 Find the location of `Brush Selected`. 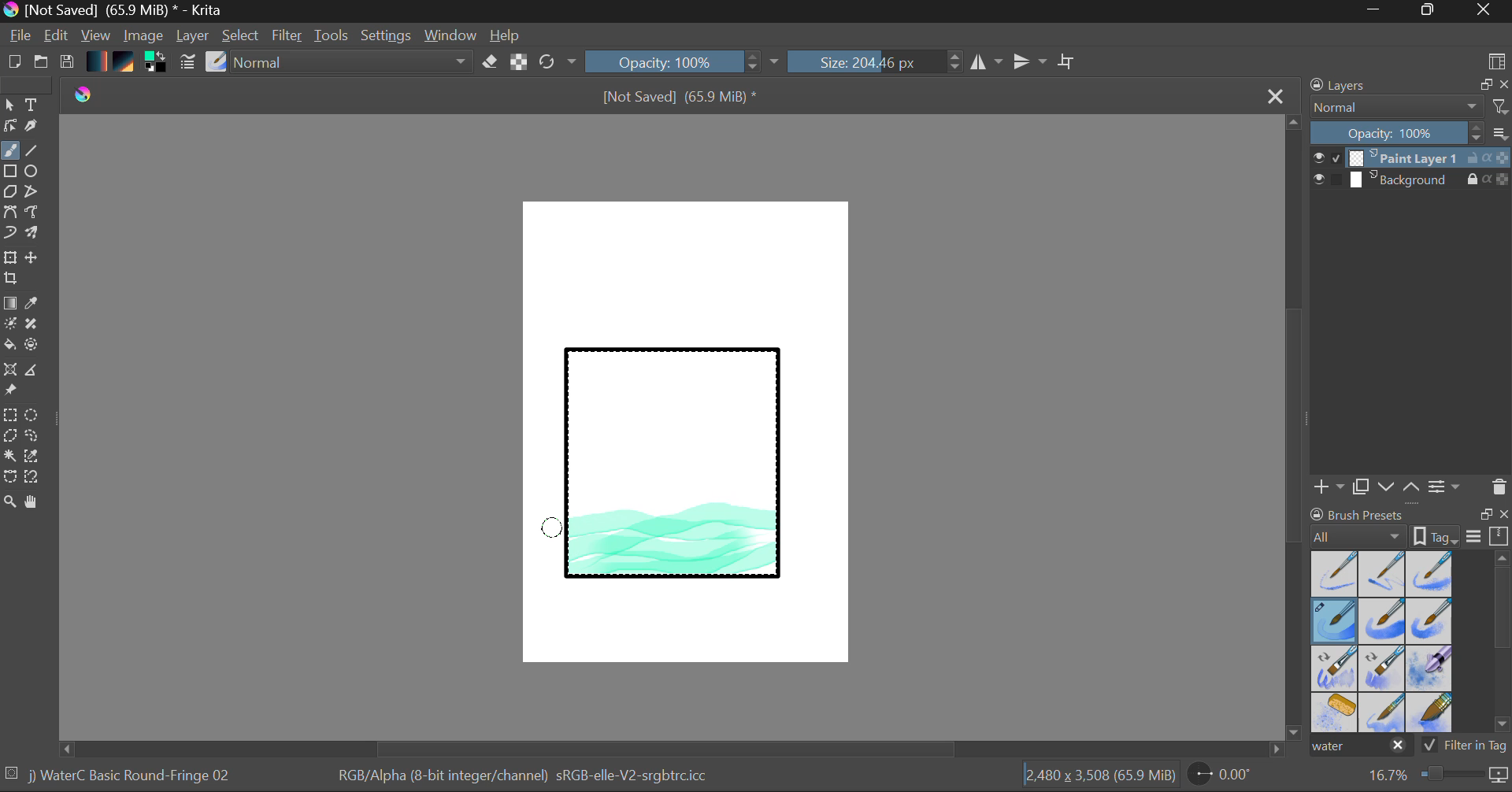

Brush Selected is located at coordinates (132, 777).